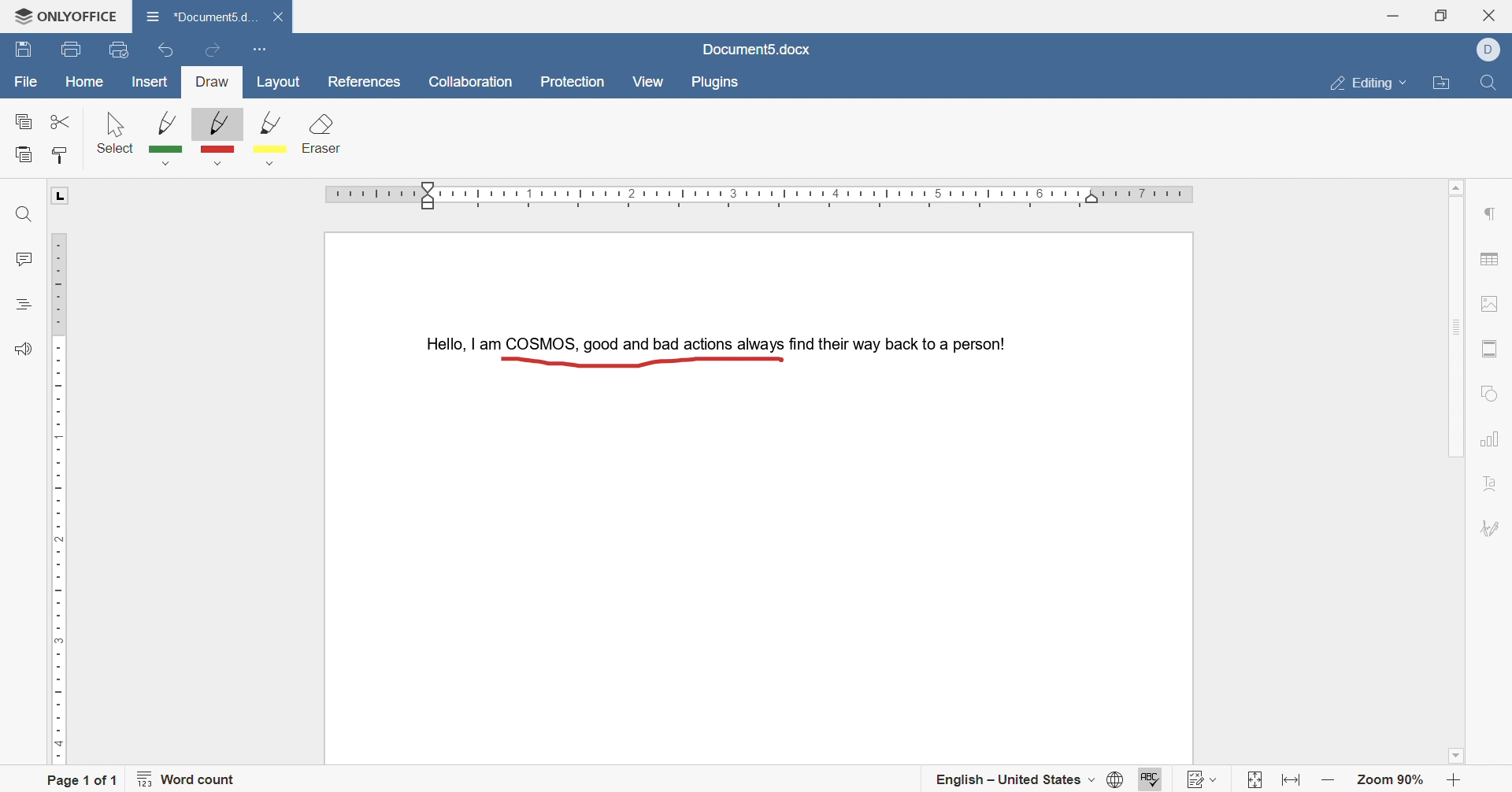  What do you see at coordinates (1491, 391) in the screenshot?
I see `shape settings` at bounding box center [1491, 391].